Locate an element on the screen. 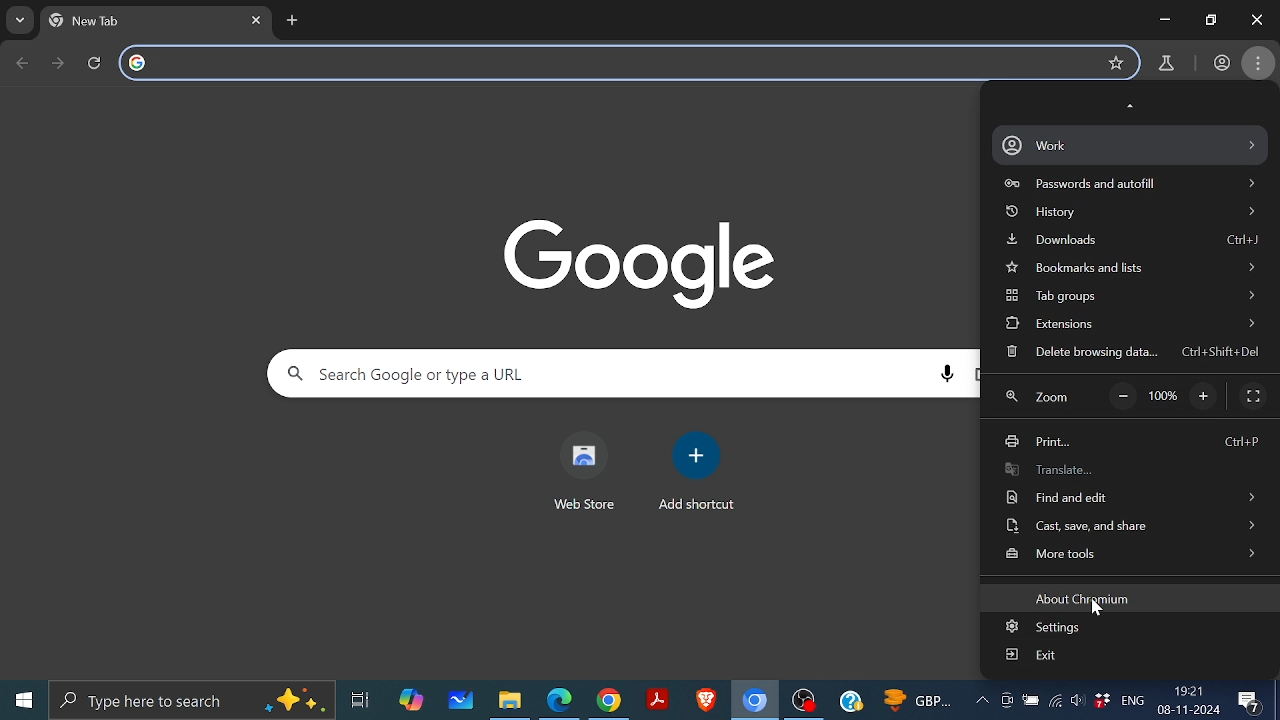  Downloads ctrl+j is located at coordinates (1134, 243).